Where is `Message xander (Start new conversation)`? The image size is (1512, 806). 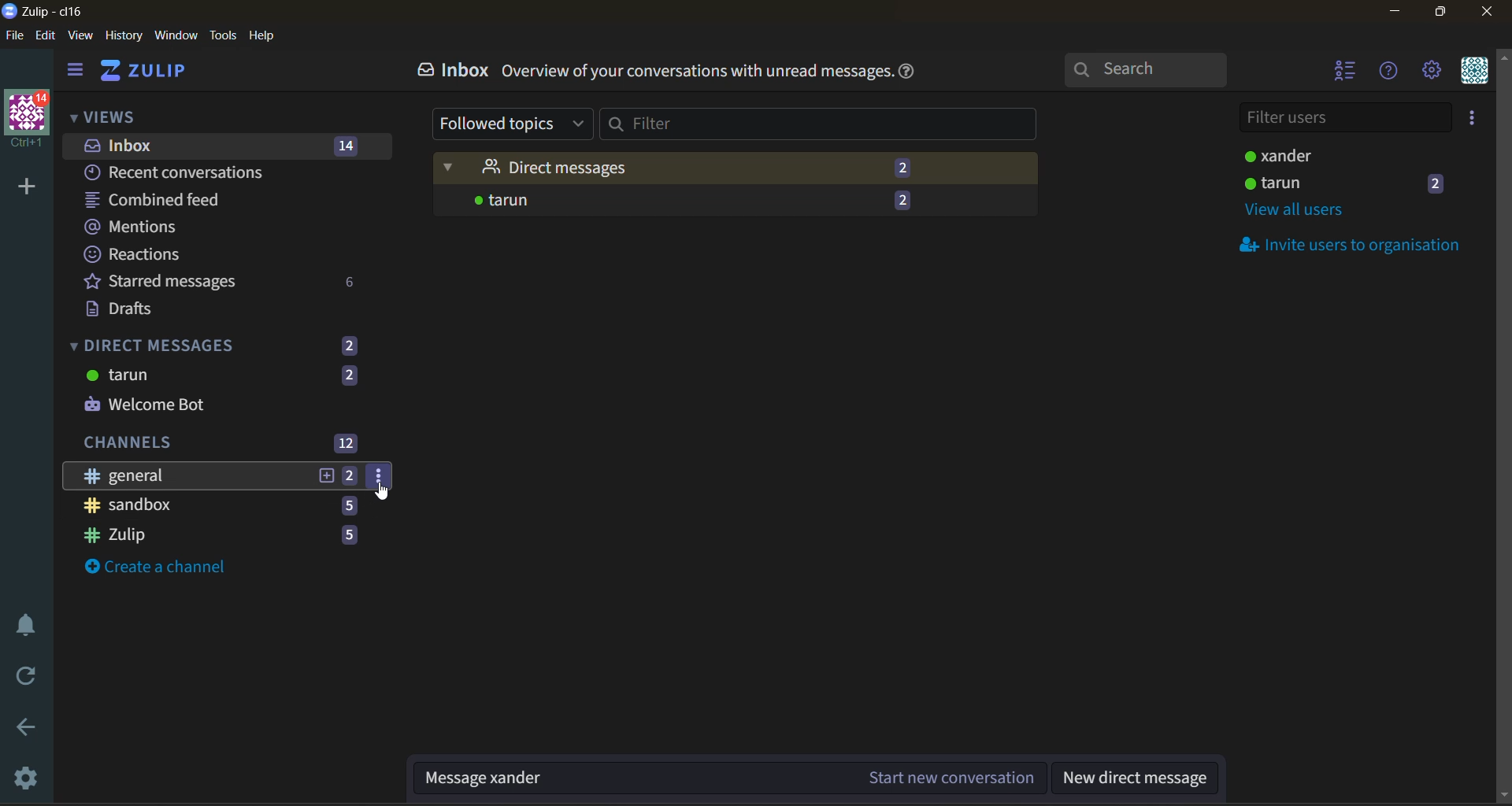
Message xander (Start new conversation) is located at coordinates (725, 779).